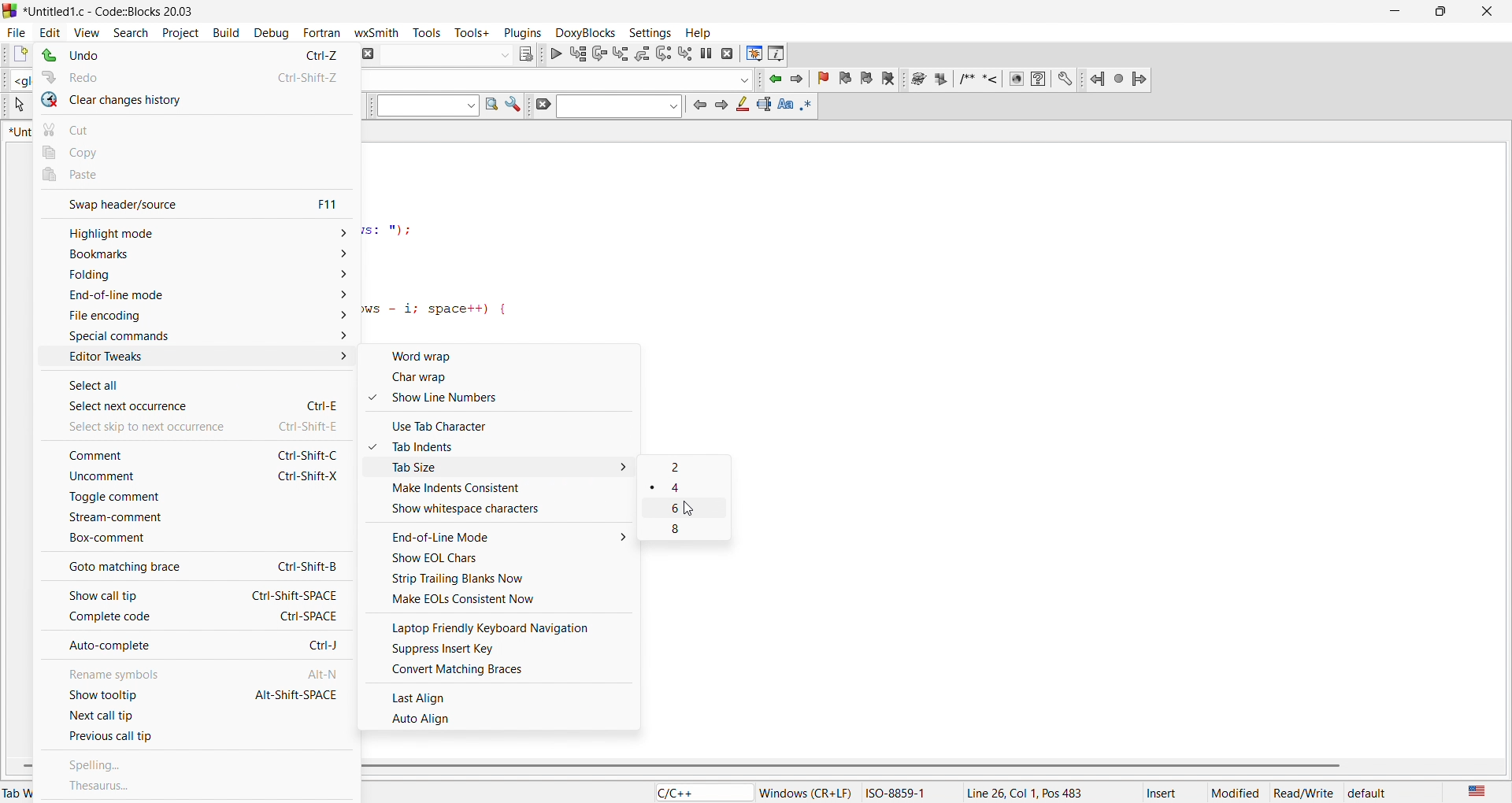 Image resolution: width=1512 pixels, height=803 pixels. Describe the element at coordinates (135, 428) in the screenshot. I see `select skip to new occurance` at that location.